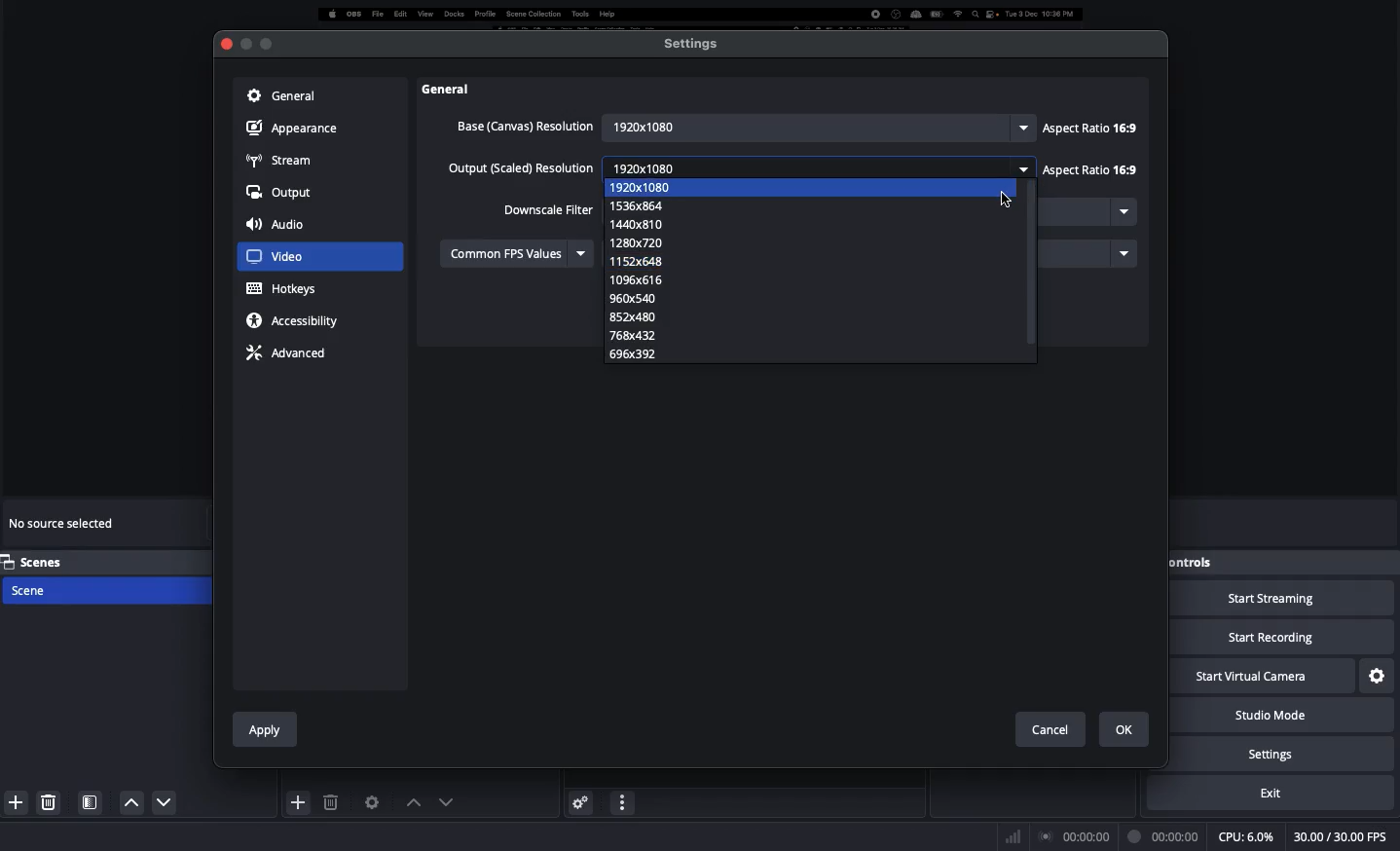  What do you see at coordinates (333, 802) in the screenshot?
I see `Delete` at bounding box center [333, 802].